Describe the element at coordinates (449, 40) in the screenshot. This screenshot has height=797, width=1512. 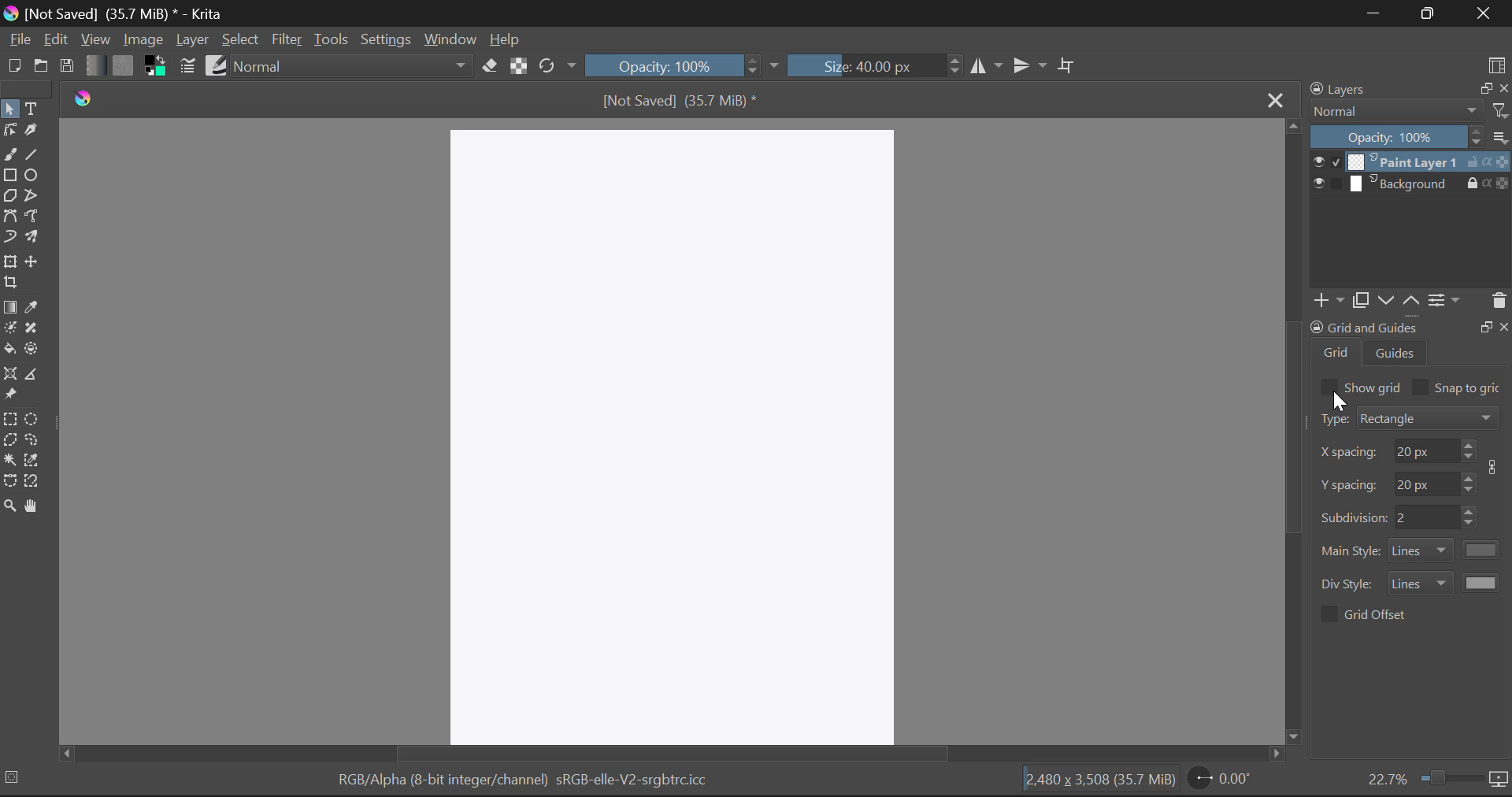
I see `Window` at that location.